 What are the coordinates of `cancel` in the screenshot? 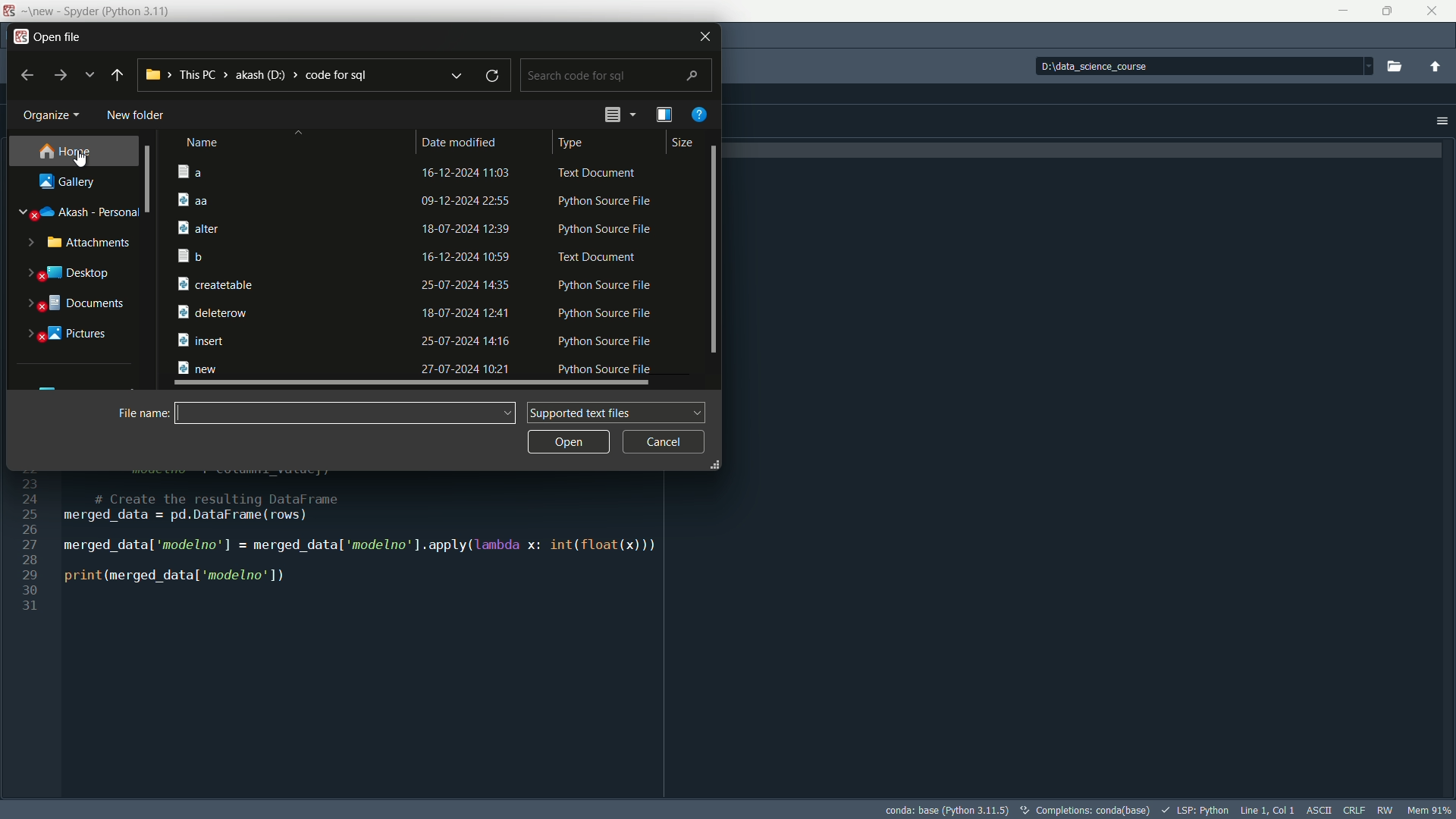 It's located at (664, 441).